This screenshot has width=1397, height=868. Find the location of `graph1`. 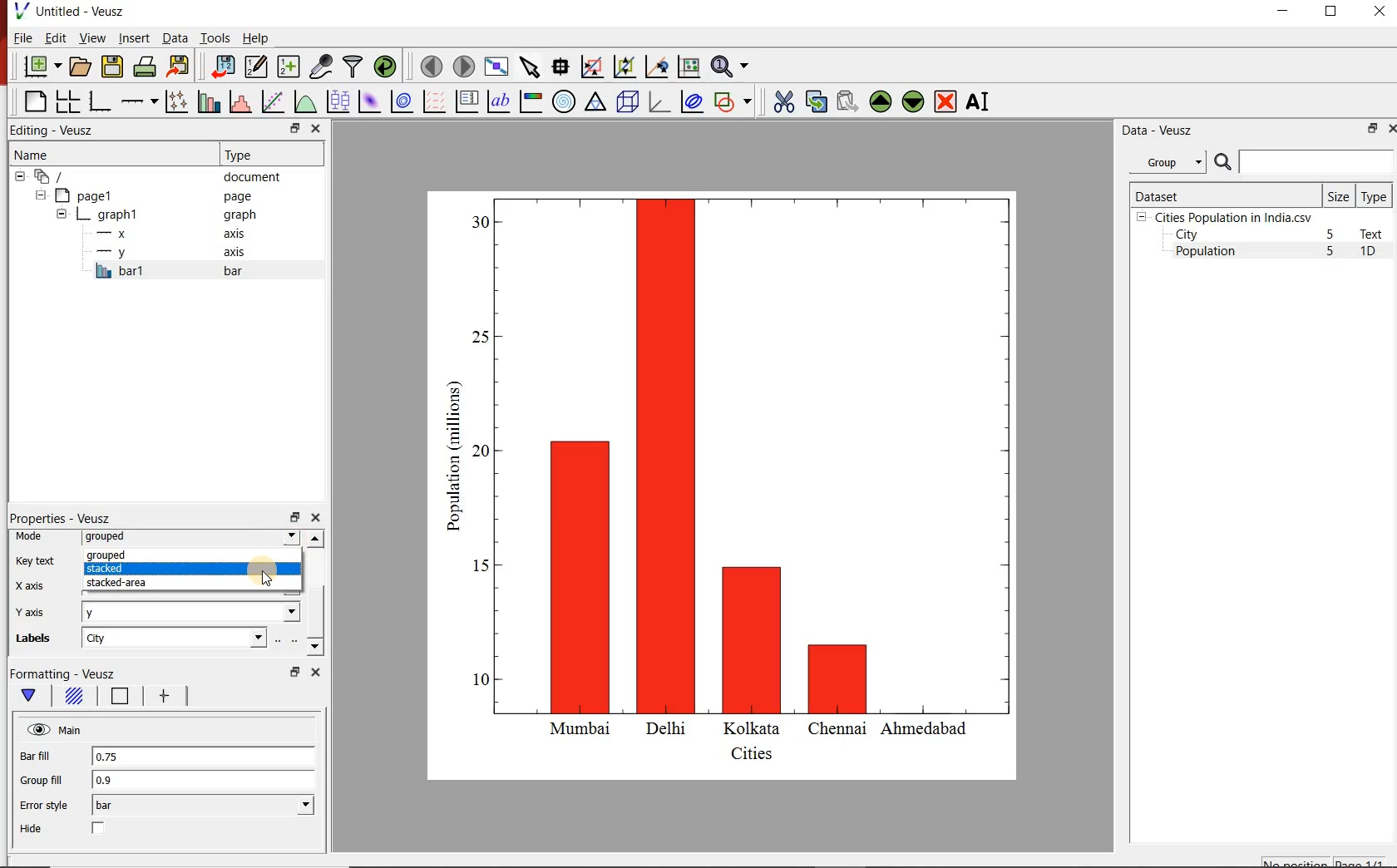

graph1 is located at coordinates (159, 215).